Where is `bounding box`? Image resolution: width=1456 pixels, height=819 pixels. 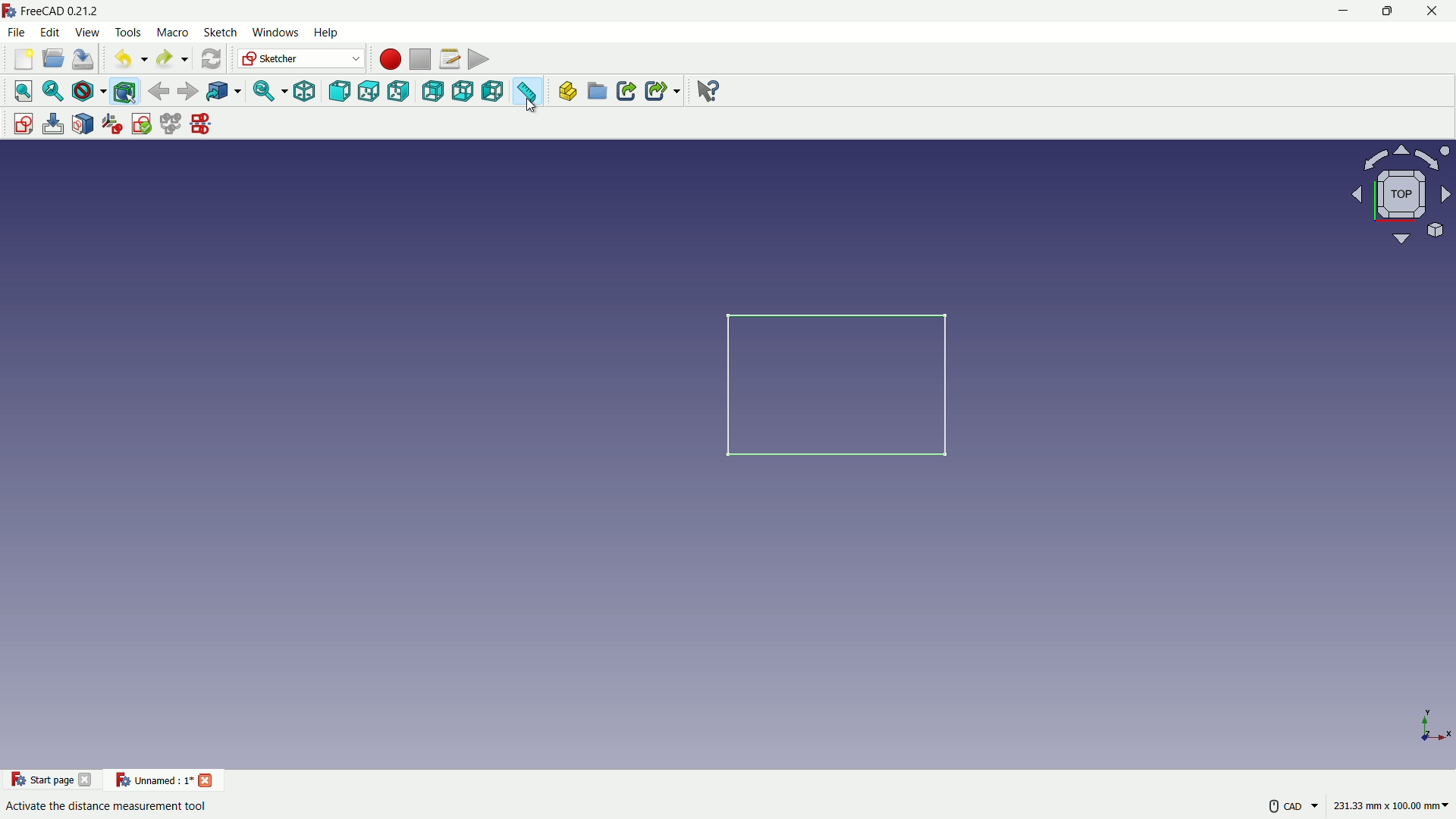 bounding box is located at coordinates (127, 91).